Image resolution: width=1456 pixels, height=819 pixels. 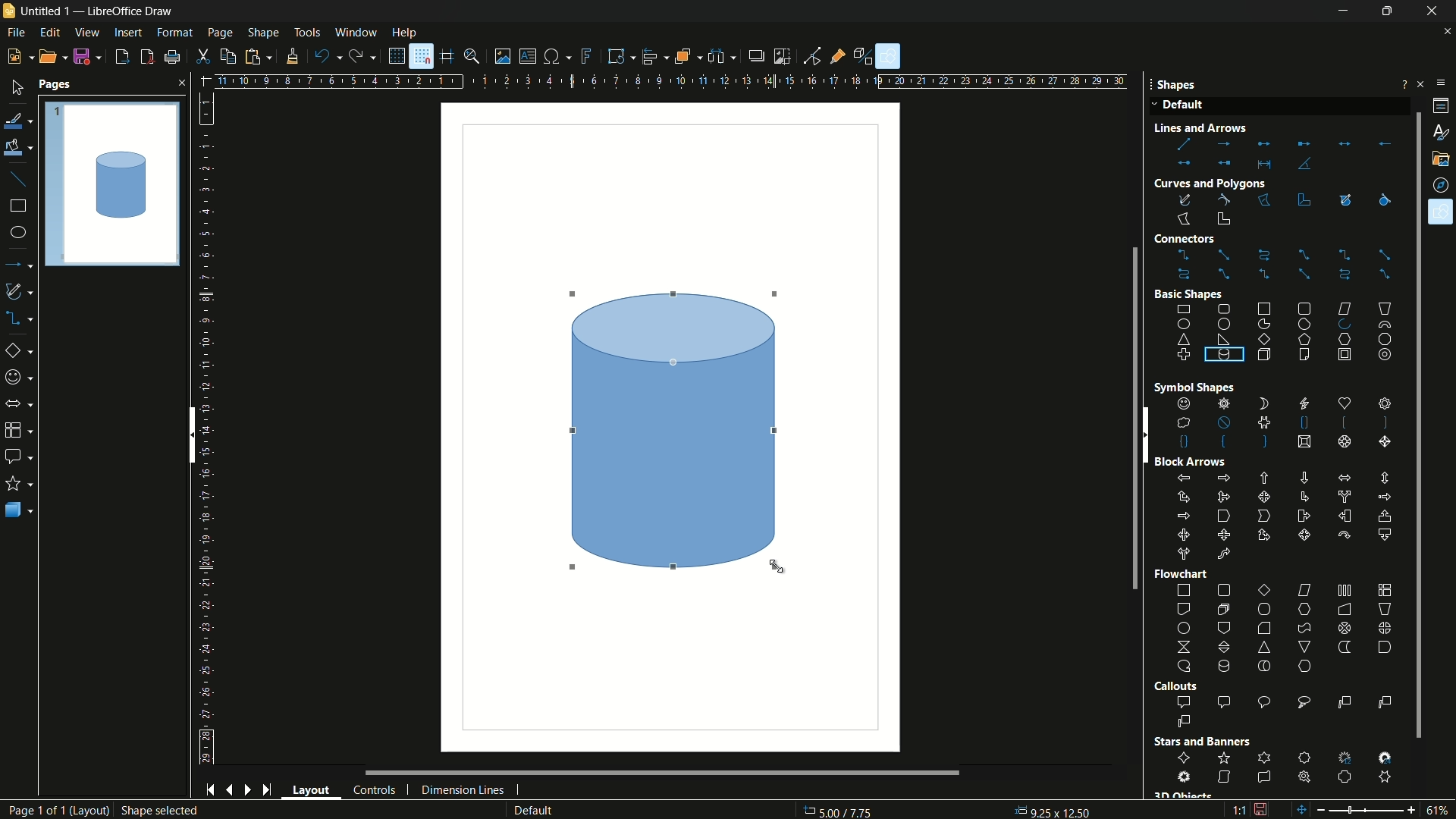 What do you see at coordinates (128, 32) in the screenshot?
I see `insert menu` at bounding box center [128, 32].